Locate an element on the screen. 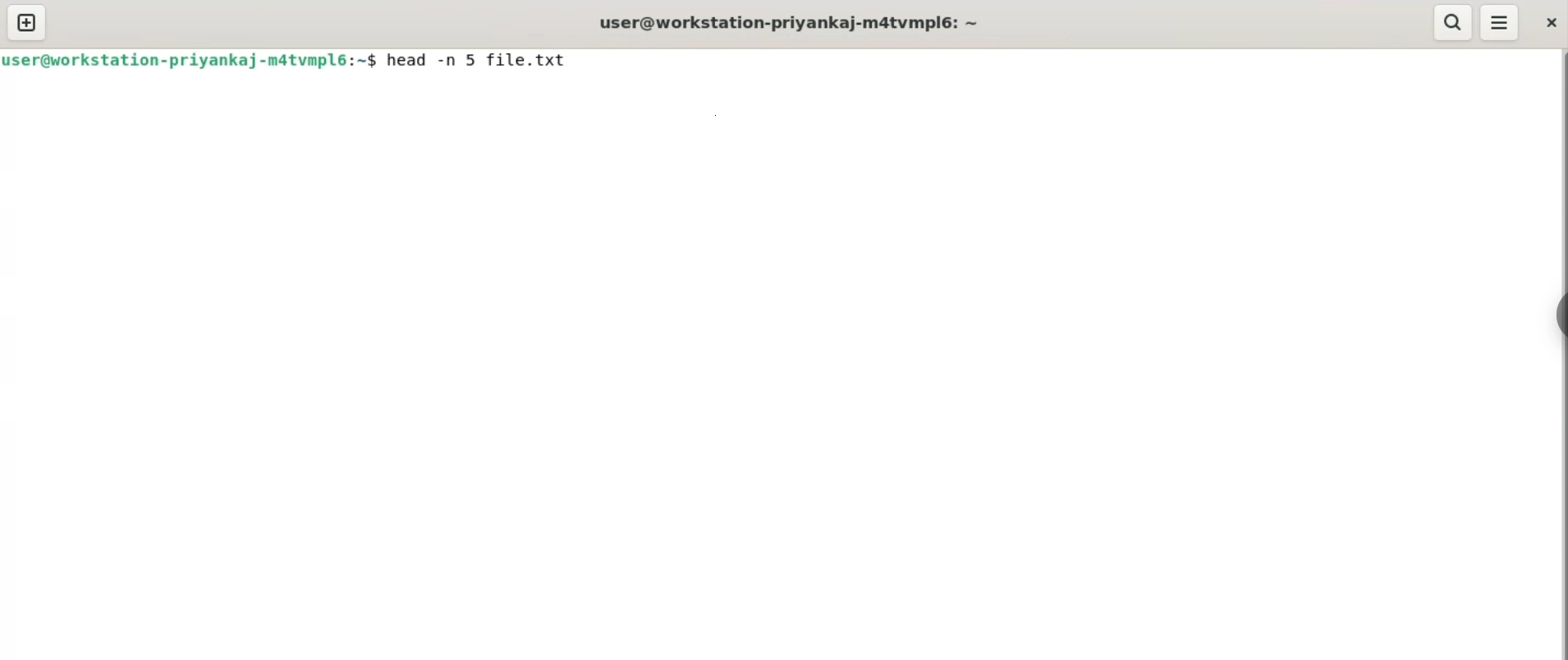 This screenshot has height=660, width=1568. menu is located at coordinates (1498, 24).